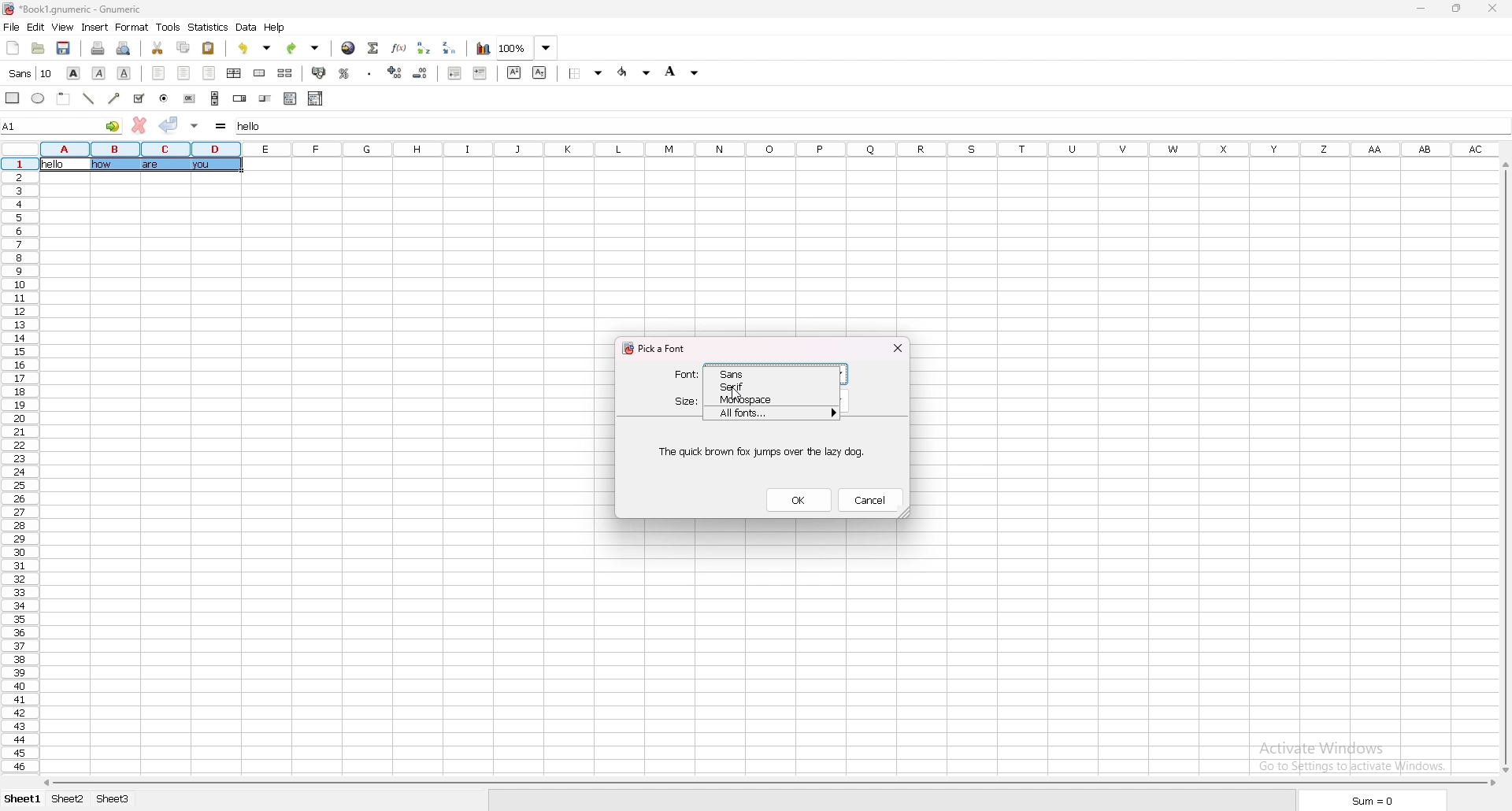 The image size is (1512, 811). Describe the element at coordinates (139, 148) in the screenshot. I see `selected cell column` at that location.